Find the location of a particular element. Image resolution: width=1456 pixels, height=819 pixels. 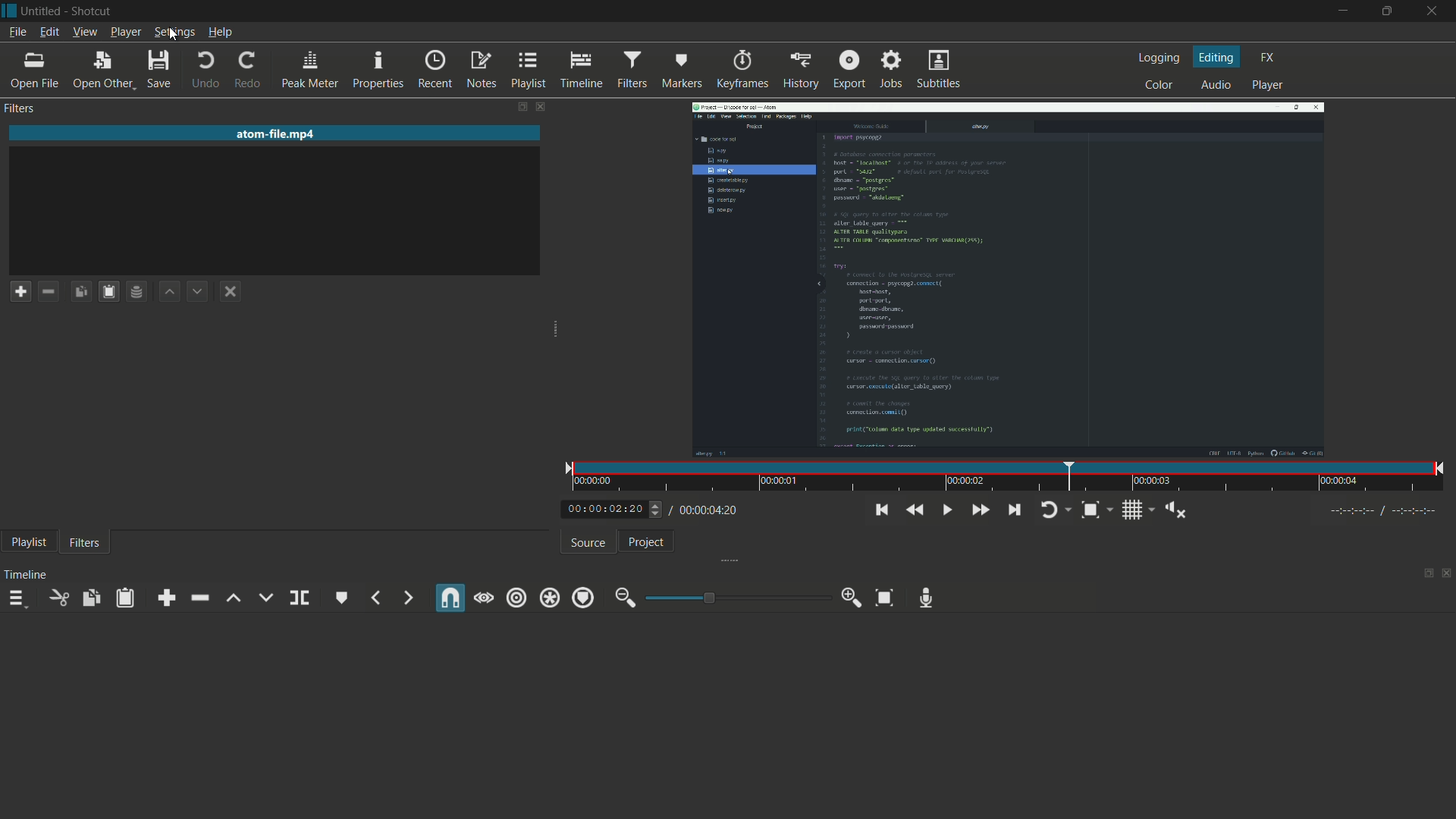

source is located at coordinates (588, 542).